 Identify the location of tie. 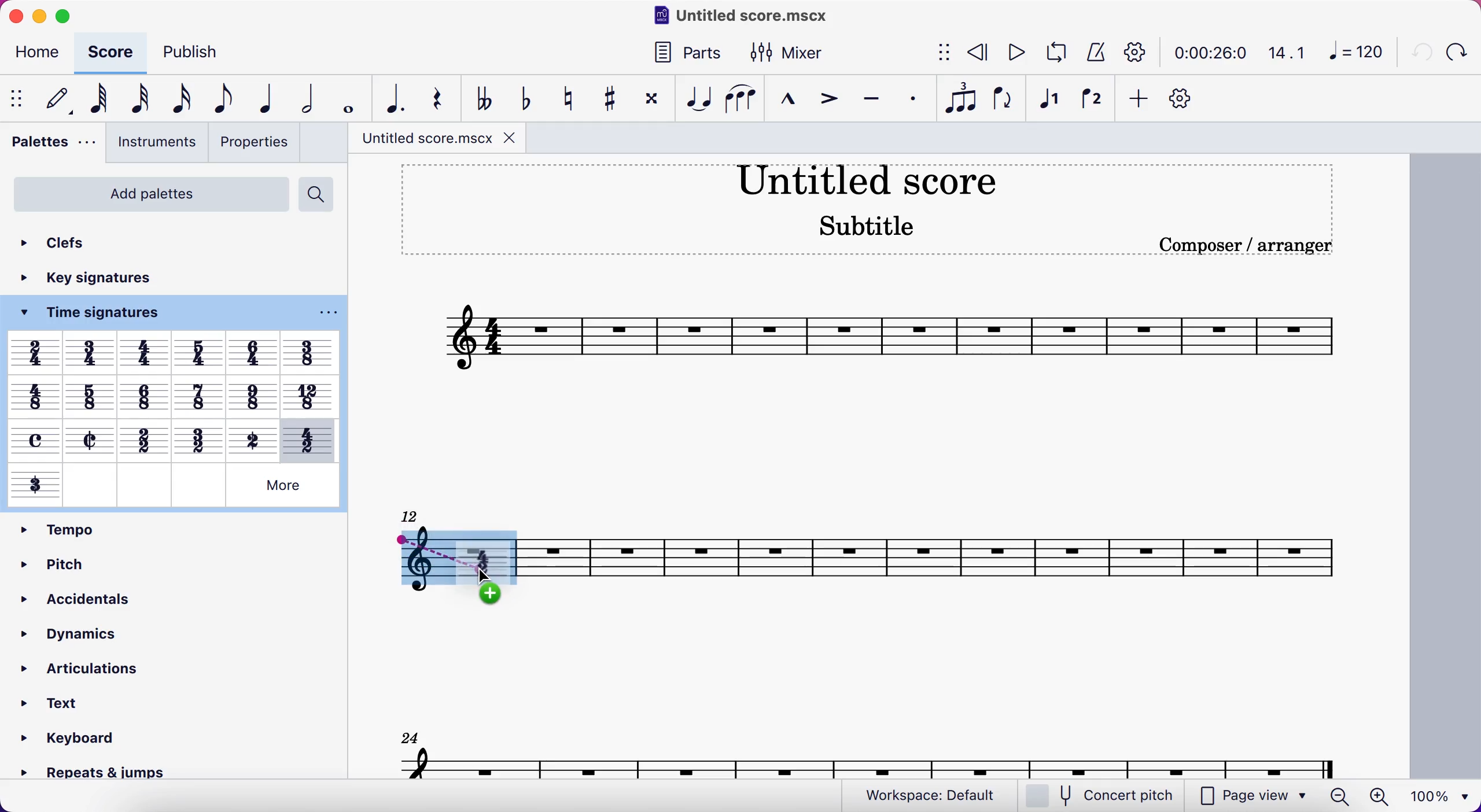
(694, 97).